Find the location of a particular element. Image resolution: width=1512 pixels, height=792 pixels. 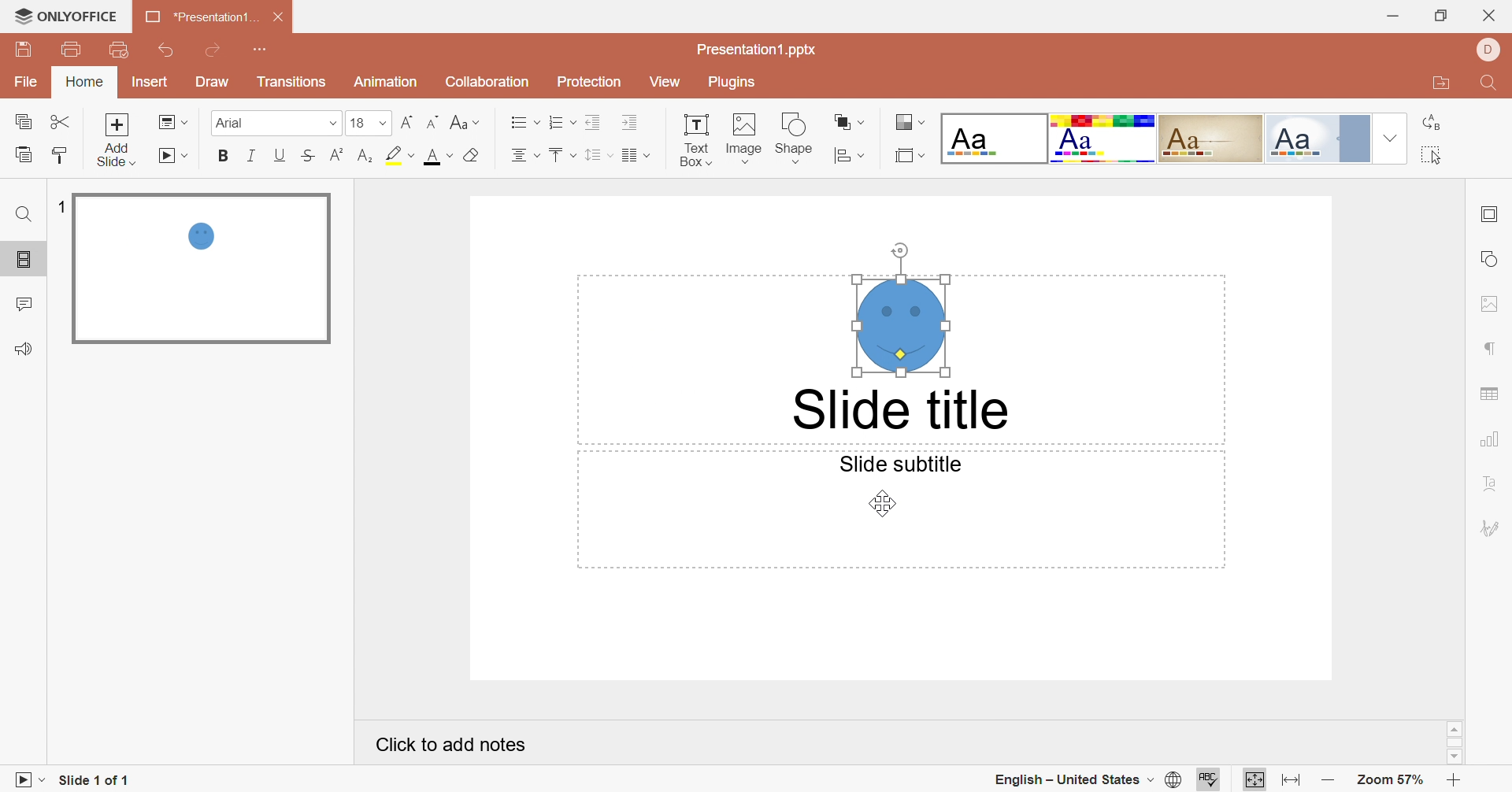

Arial is located at coordinates (256, 126).